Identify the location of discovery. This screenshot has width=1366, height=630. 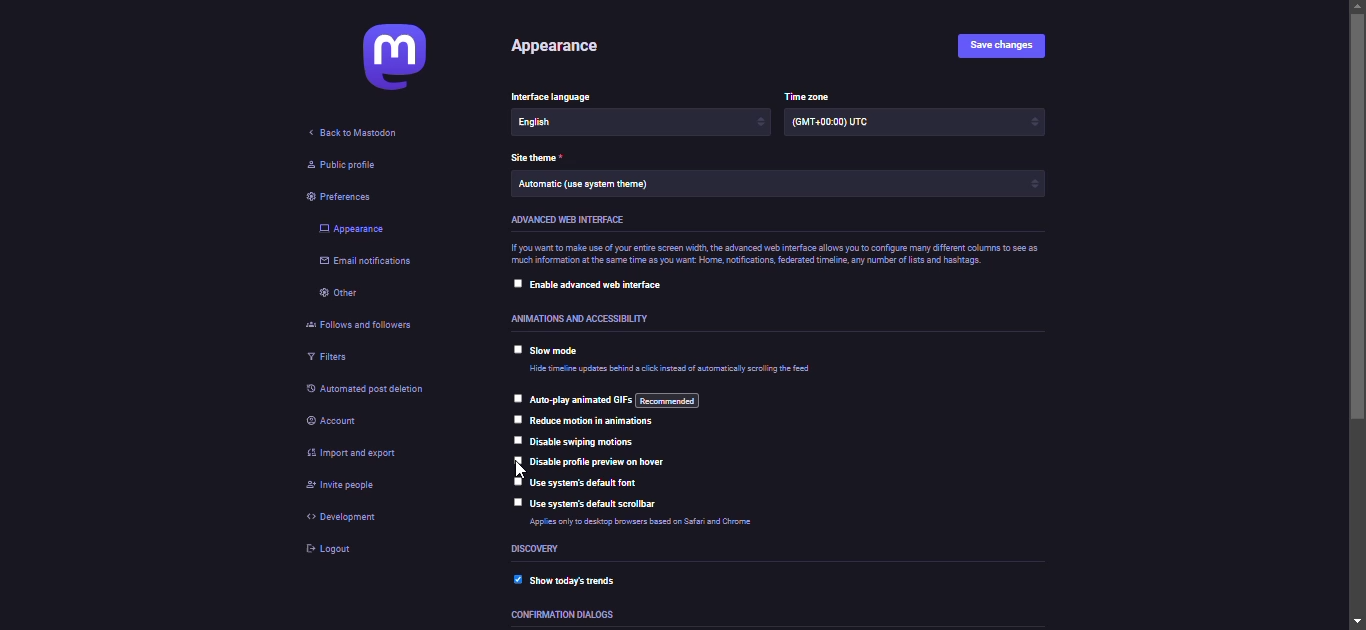
(541, 549).